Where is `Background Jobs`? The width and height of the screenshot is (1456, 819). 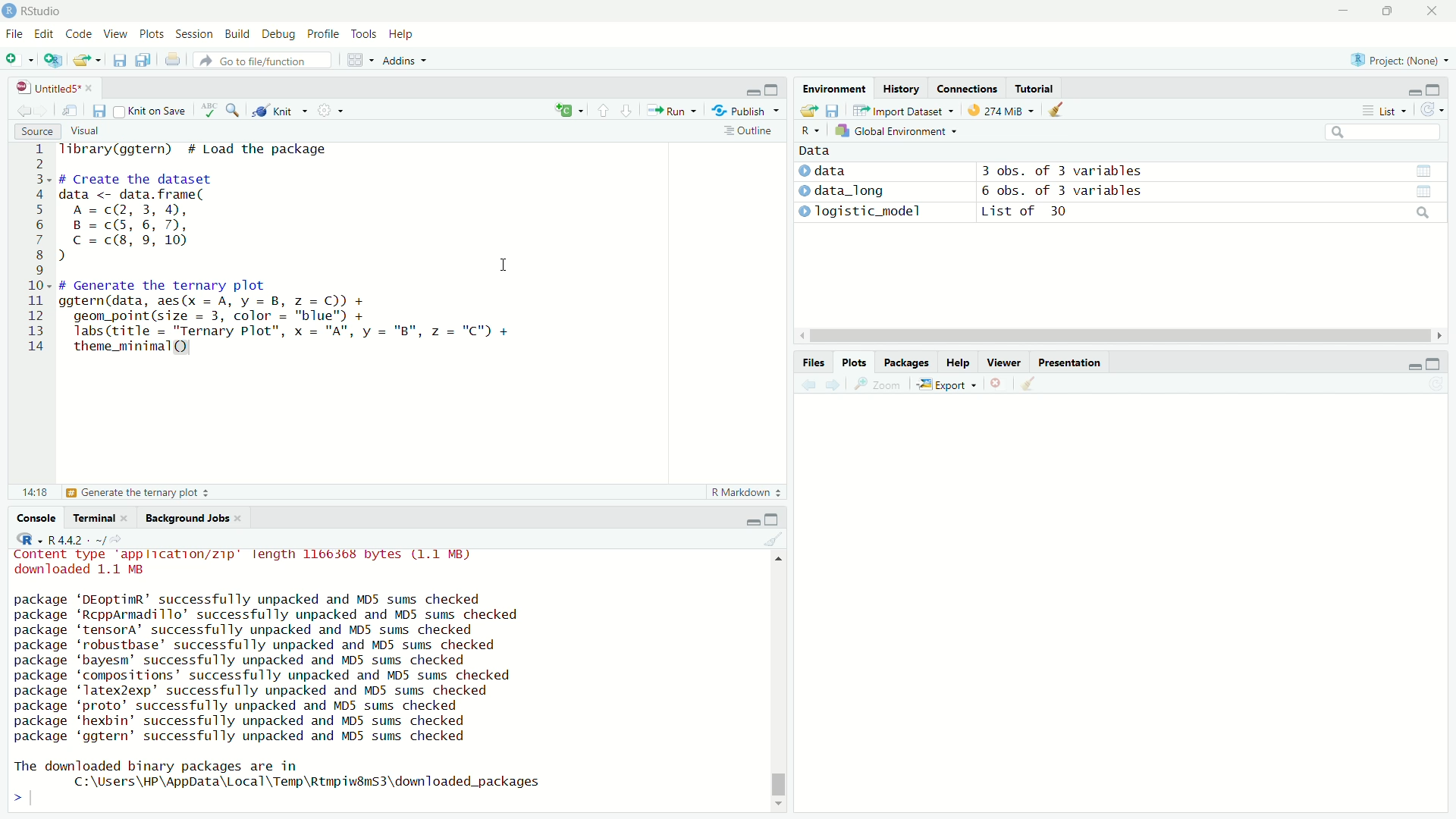 Background Jobs is located at coordinates (188, 519).